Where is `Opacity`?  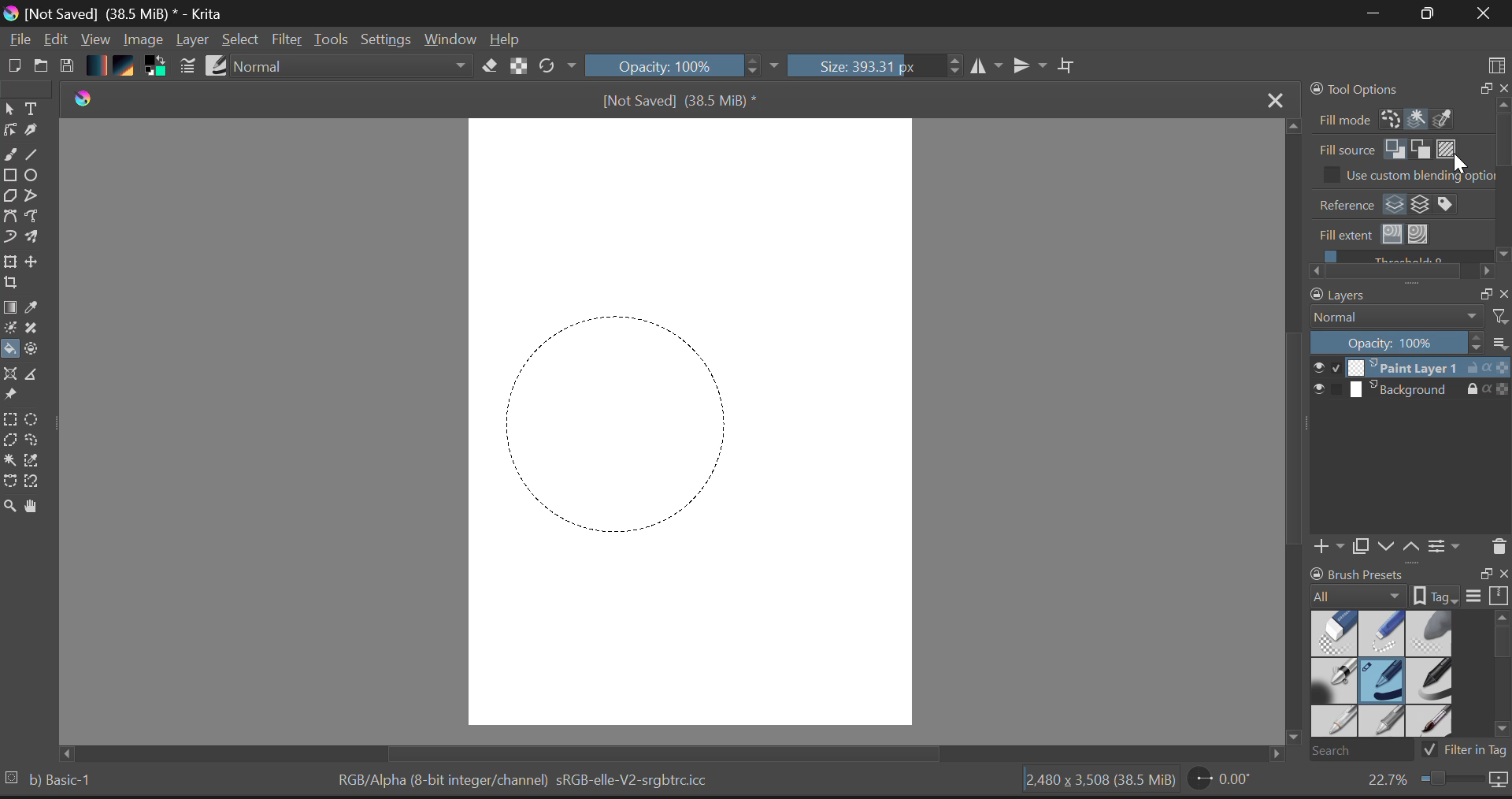
Opacity is located at coordinates (684, 67).